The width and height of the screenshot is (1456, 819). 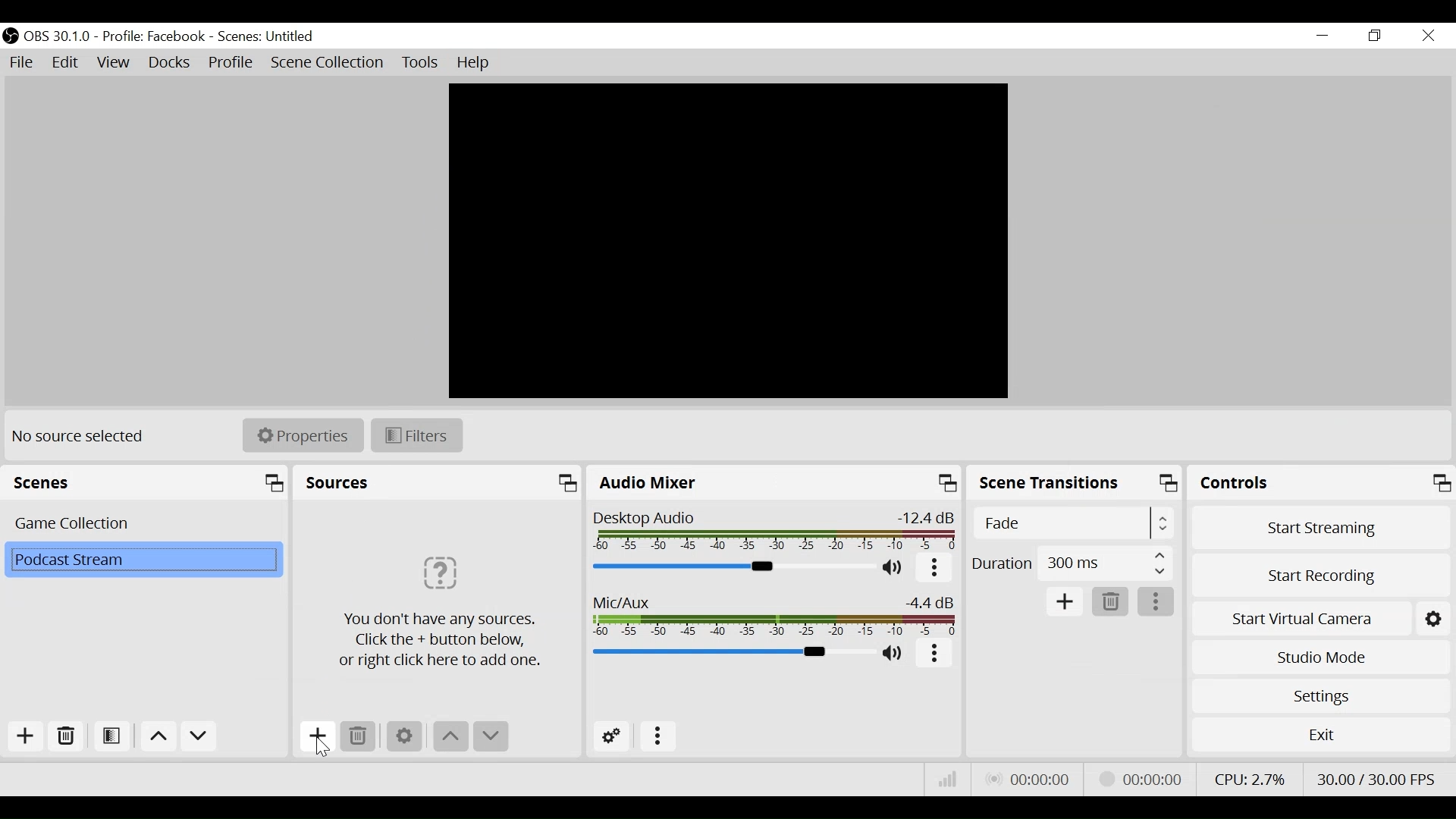 I want to click on Tools, so click(x=422, y=63).